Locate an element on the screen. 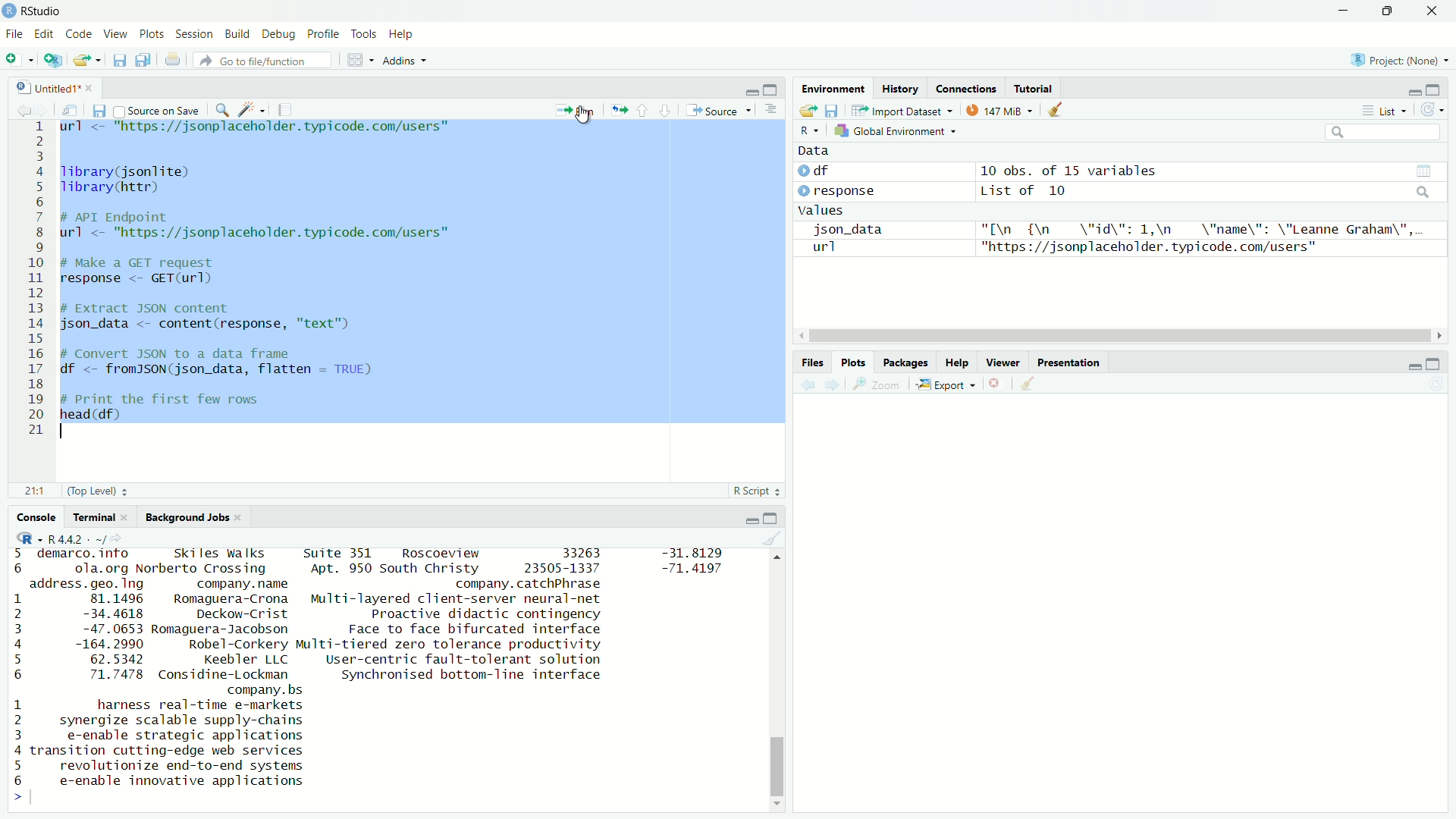 Image resolution: width=1456 pixels, height=819 pixels. Debug is located at coordinates (278, 34).